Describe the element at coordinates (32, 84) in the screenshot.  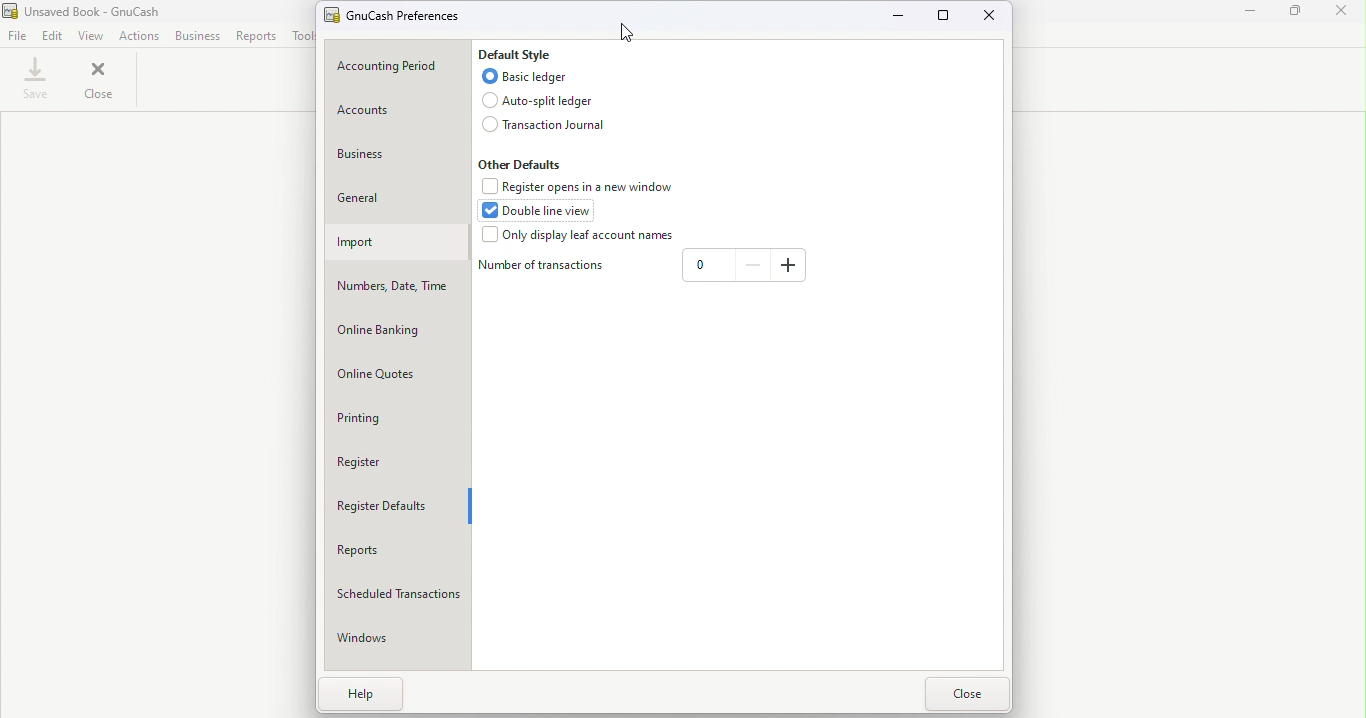
I see `Save` at that location.